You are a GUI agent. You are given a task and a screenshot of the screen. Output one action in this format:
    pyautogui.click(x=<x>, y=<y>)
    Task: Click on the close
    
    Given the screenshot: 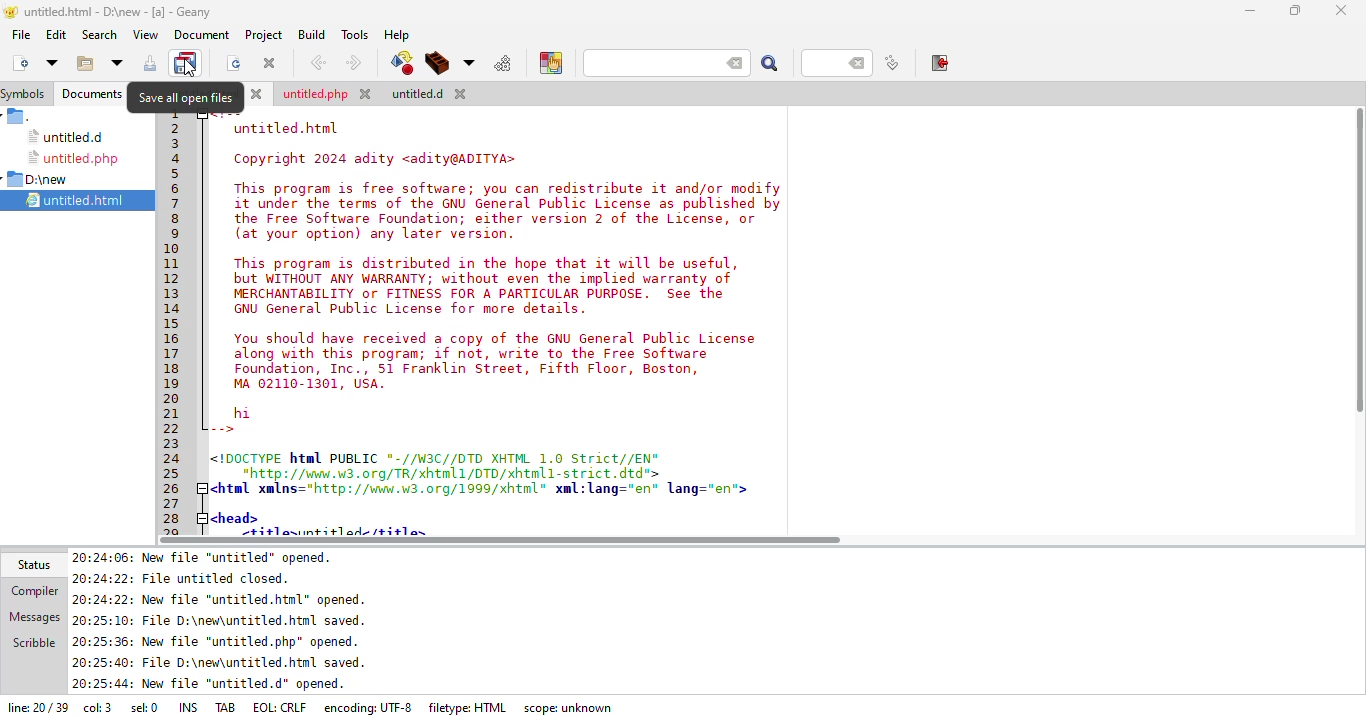 What is the action you would take?
    pyautogui.click(x=268, y=63)
    